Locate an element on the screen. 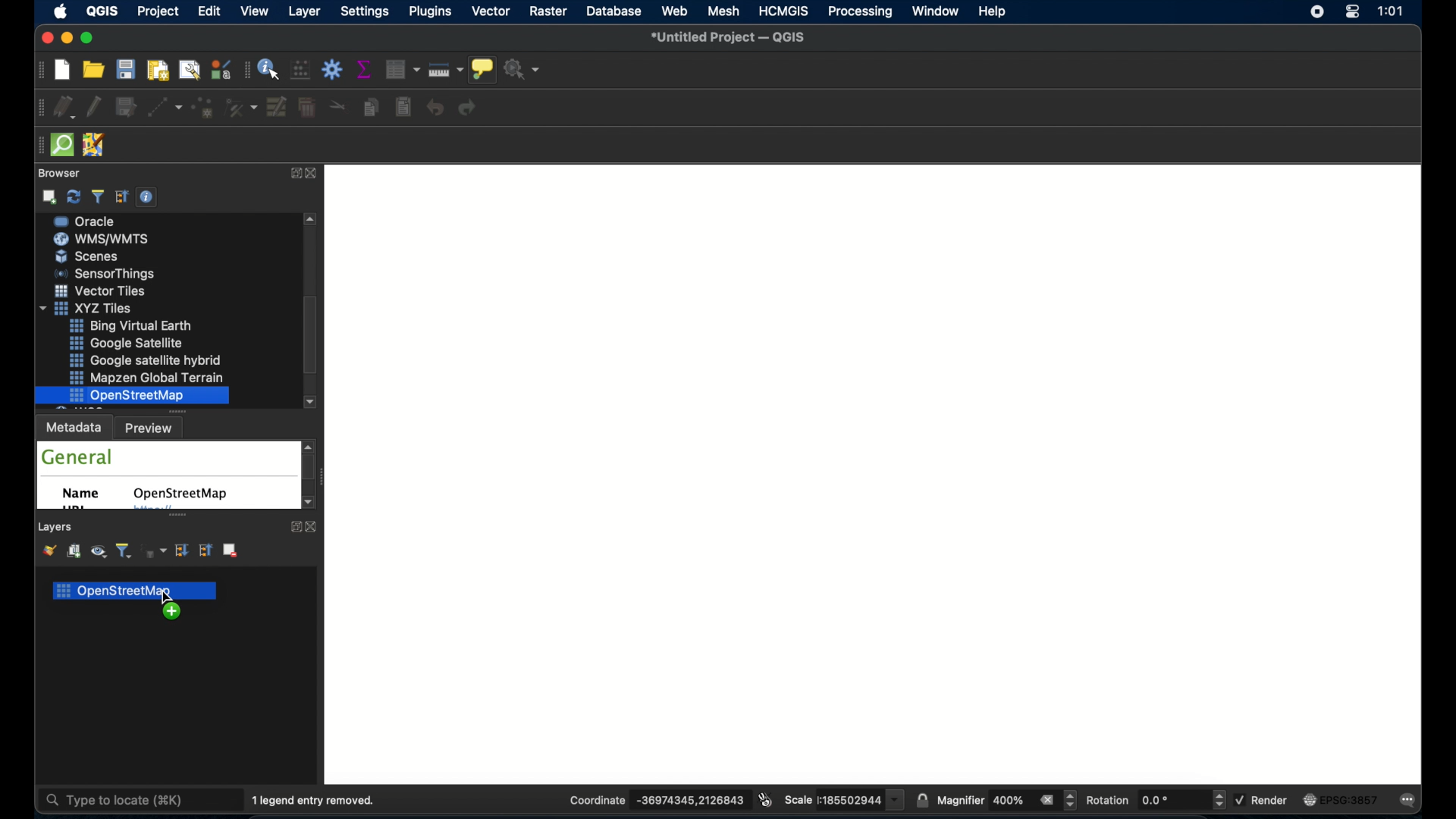 This screenshot has width=1456, height=819. processing is located at coordinates (862, 12).